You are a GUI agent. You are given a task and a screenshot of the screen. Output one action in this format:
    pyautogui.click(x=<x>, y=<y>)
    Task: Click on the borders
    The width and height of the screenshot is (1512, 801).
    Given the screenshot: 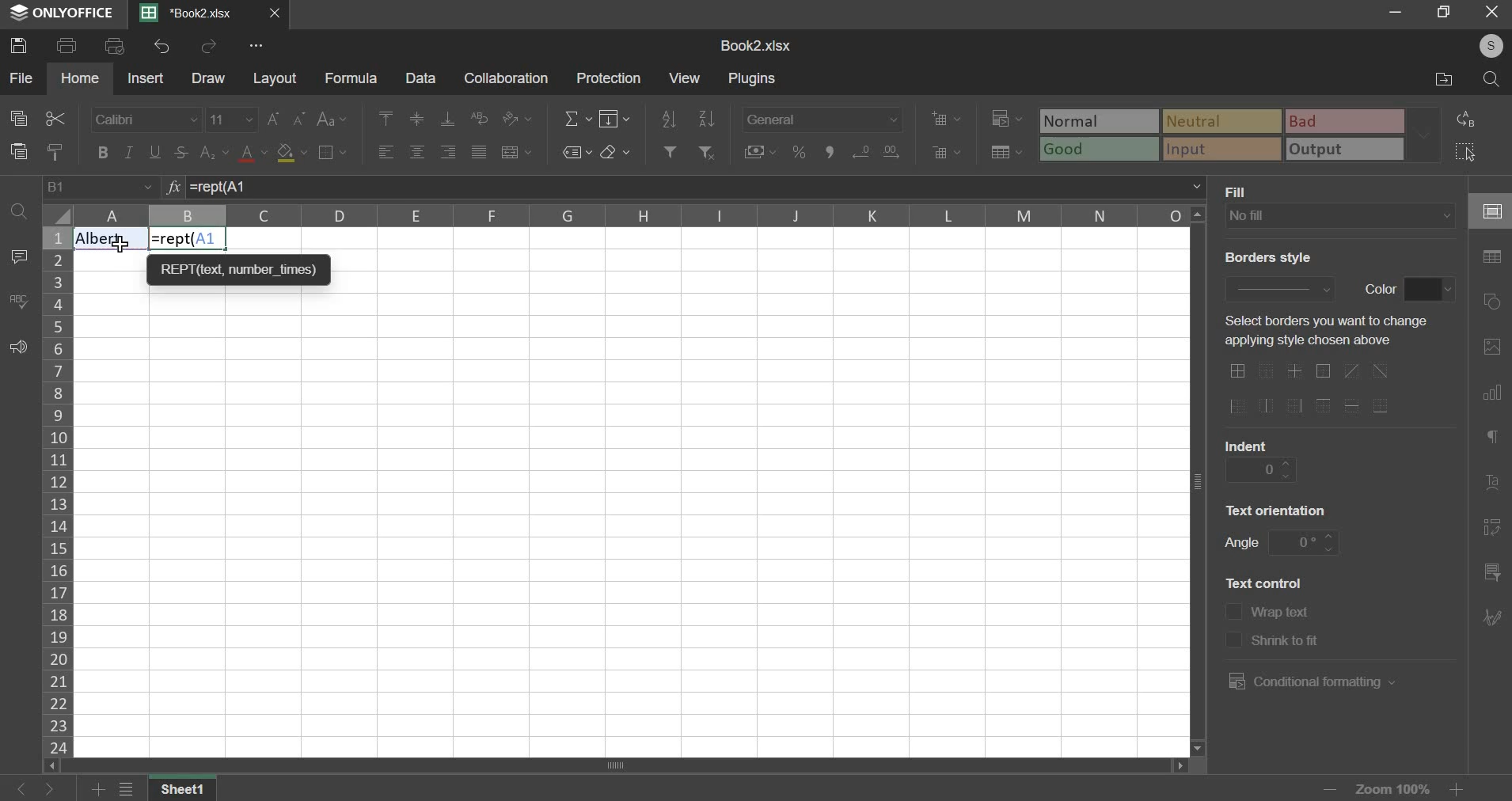 What is the action you would take?
    pyautogui.click(x=330, y=152)
    